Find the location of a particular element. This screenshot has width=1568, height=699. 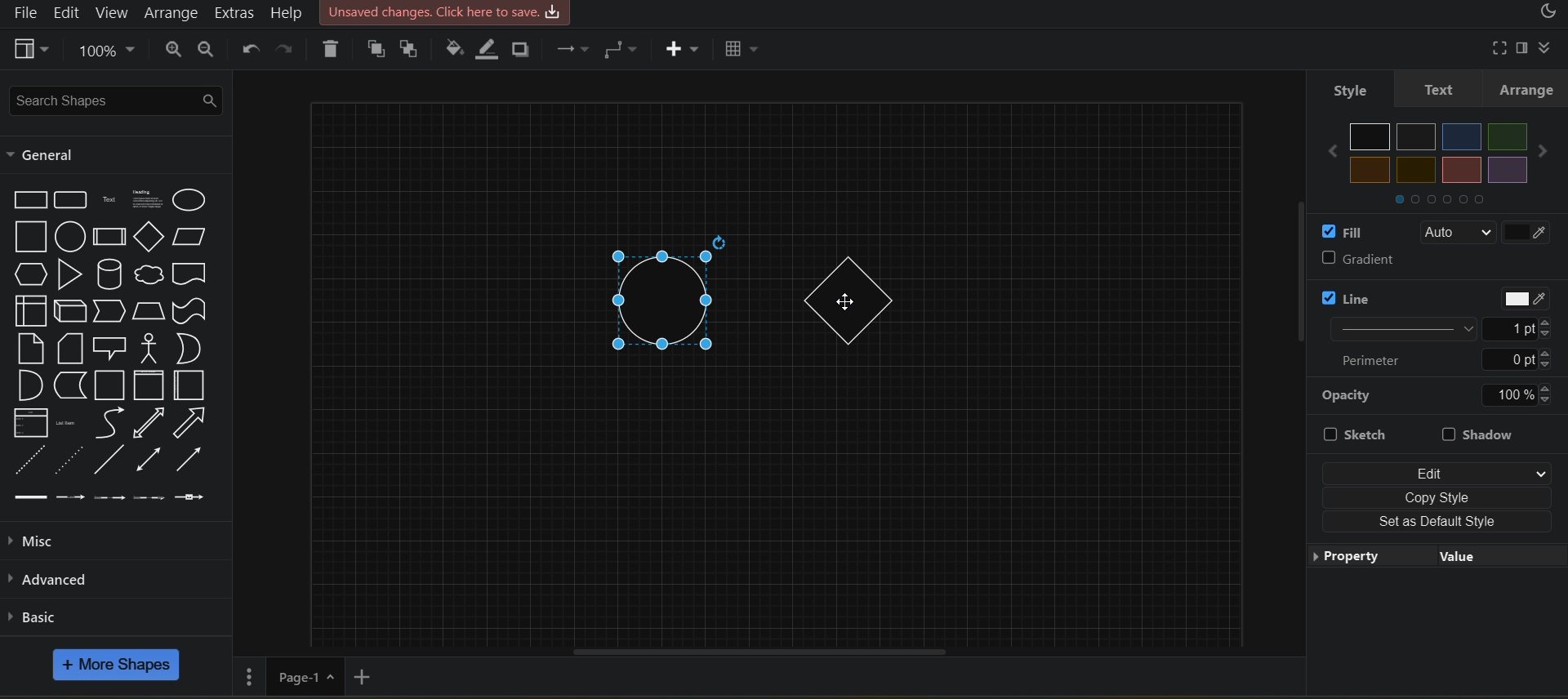

Triangle is located at coordinates (68, 274).